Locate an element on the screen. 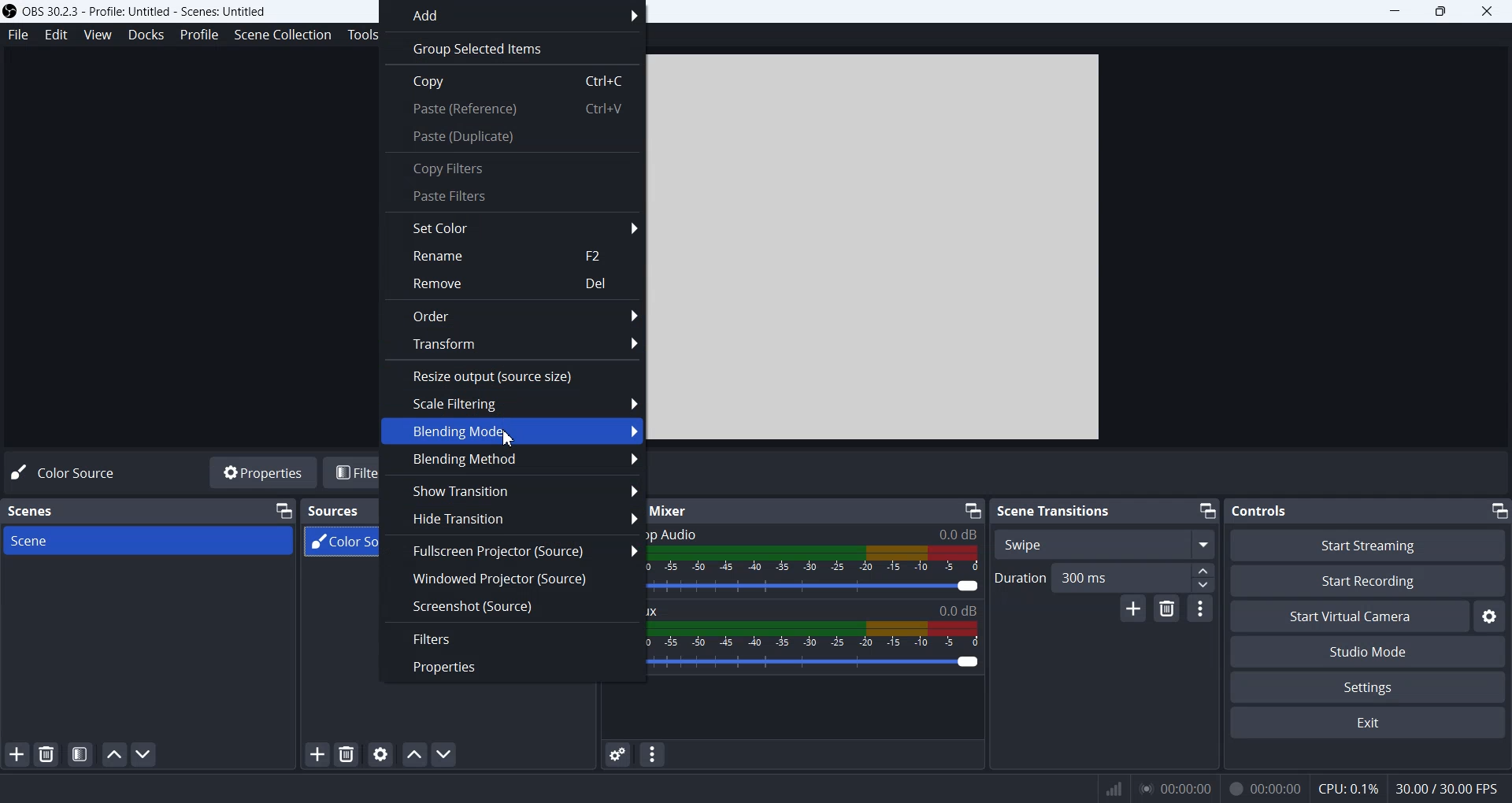 This screenshot has height=803, width=1512. 00:00:00 is located at coordinates (1173, 787).